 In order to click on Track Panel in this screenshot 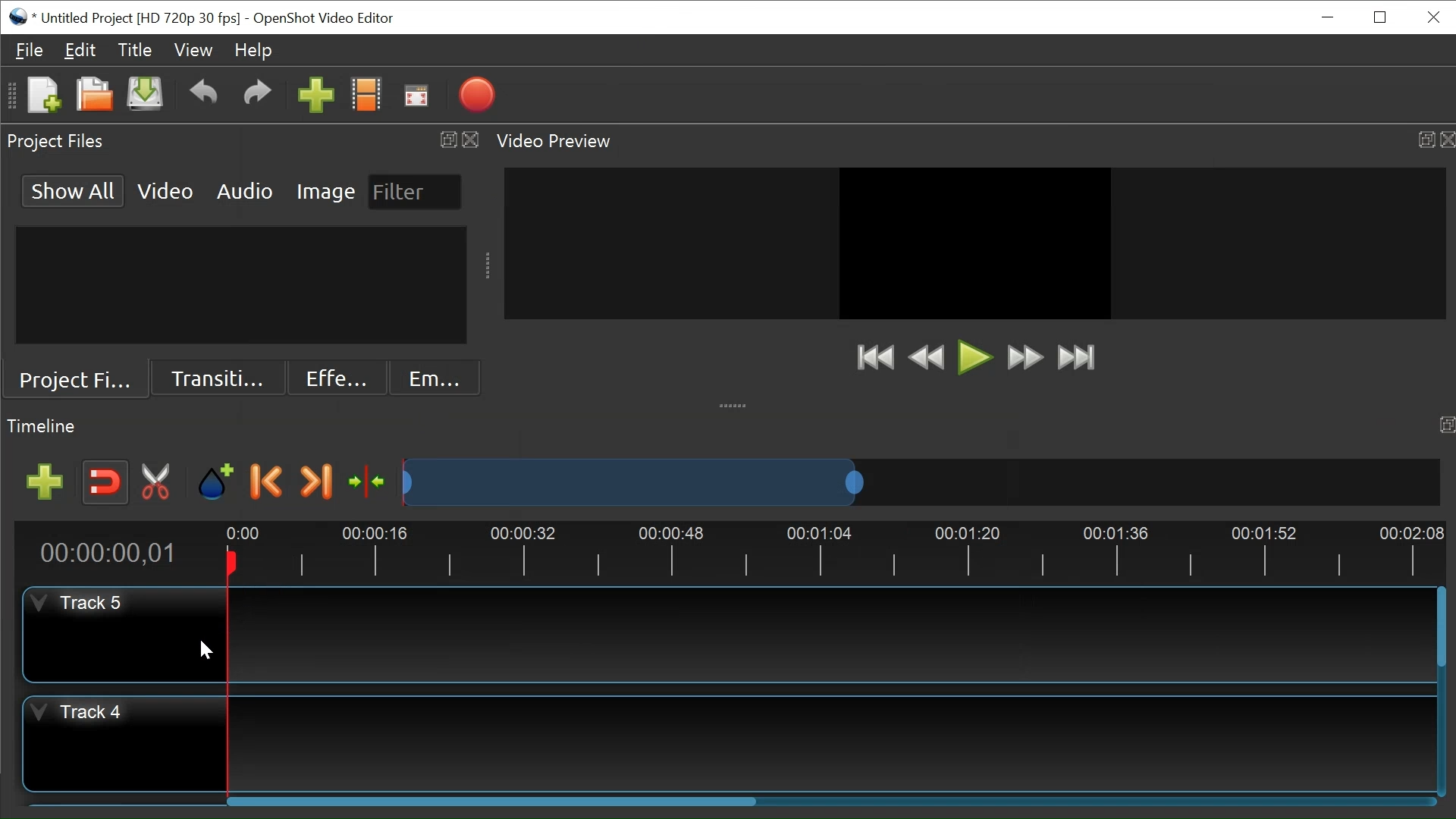, I will do `click(827, 632)`.